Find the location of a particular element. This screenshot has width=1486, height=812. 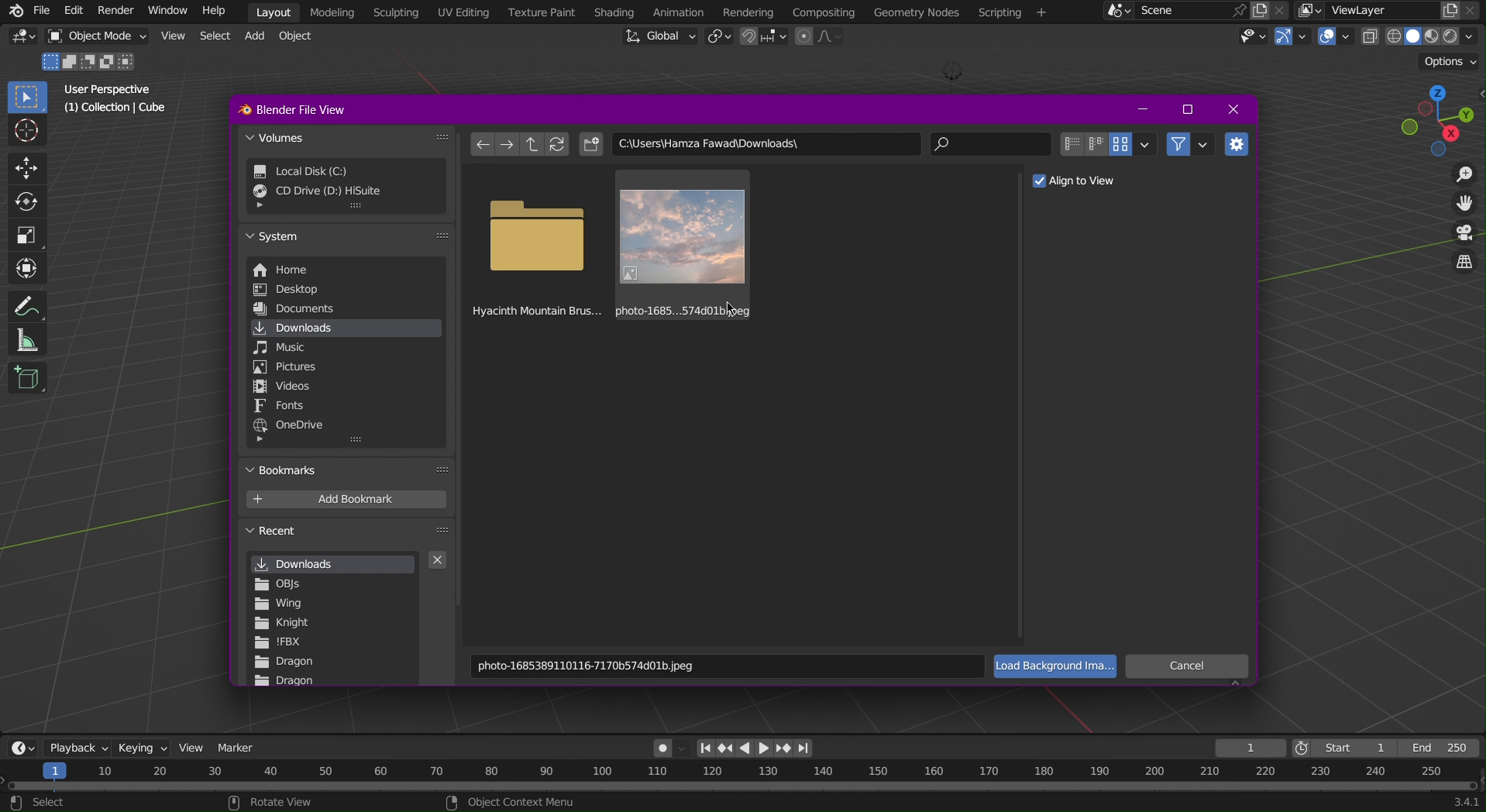

ViewLayer is located at coordinates (1391, 11).